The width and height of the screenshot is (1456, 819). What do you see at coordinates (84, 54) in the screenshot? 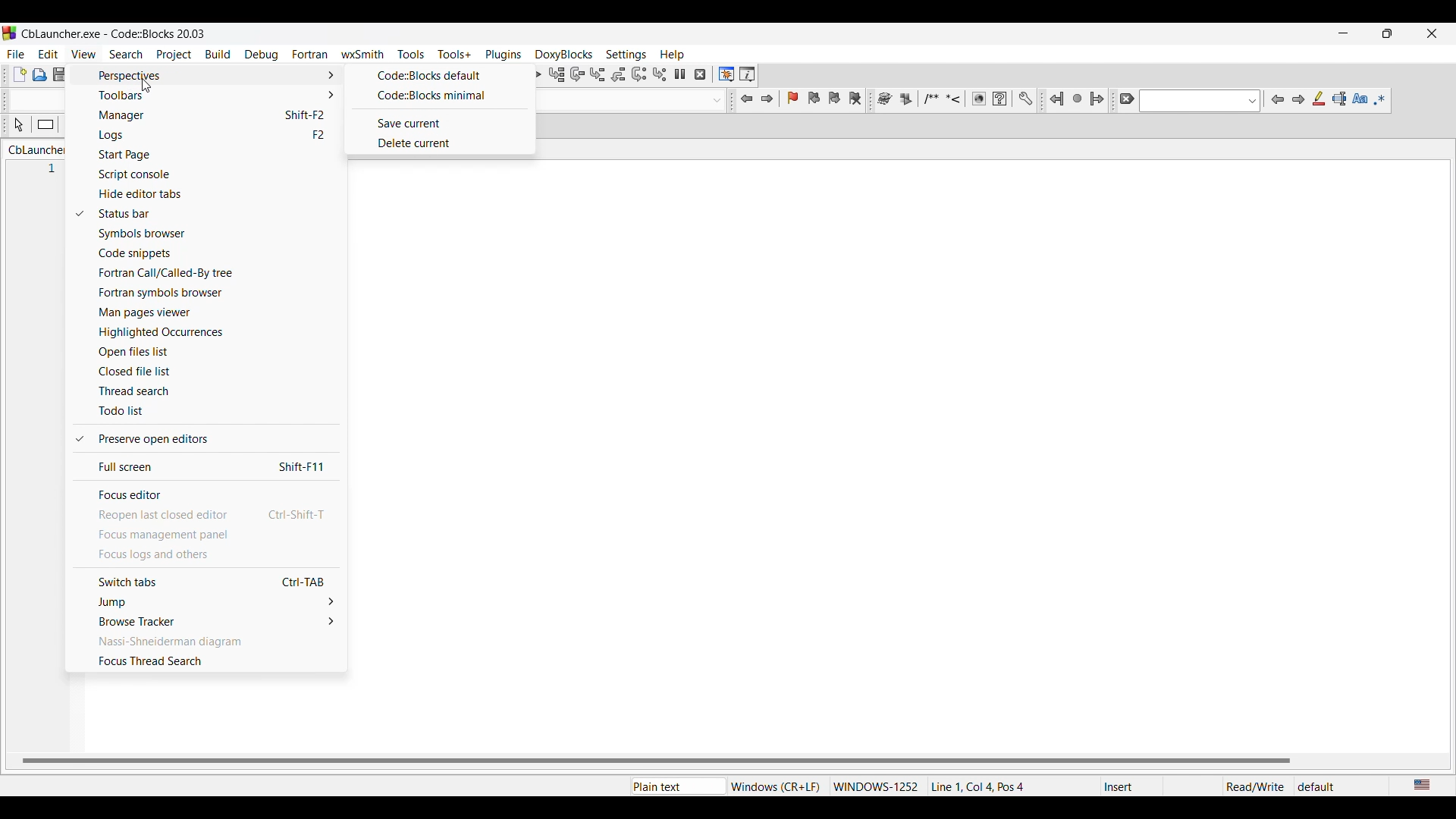
I see `View menu` at bounding box center [84, 54].